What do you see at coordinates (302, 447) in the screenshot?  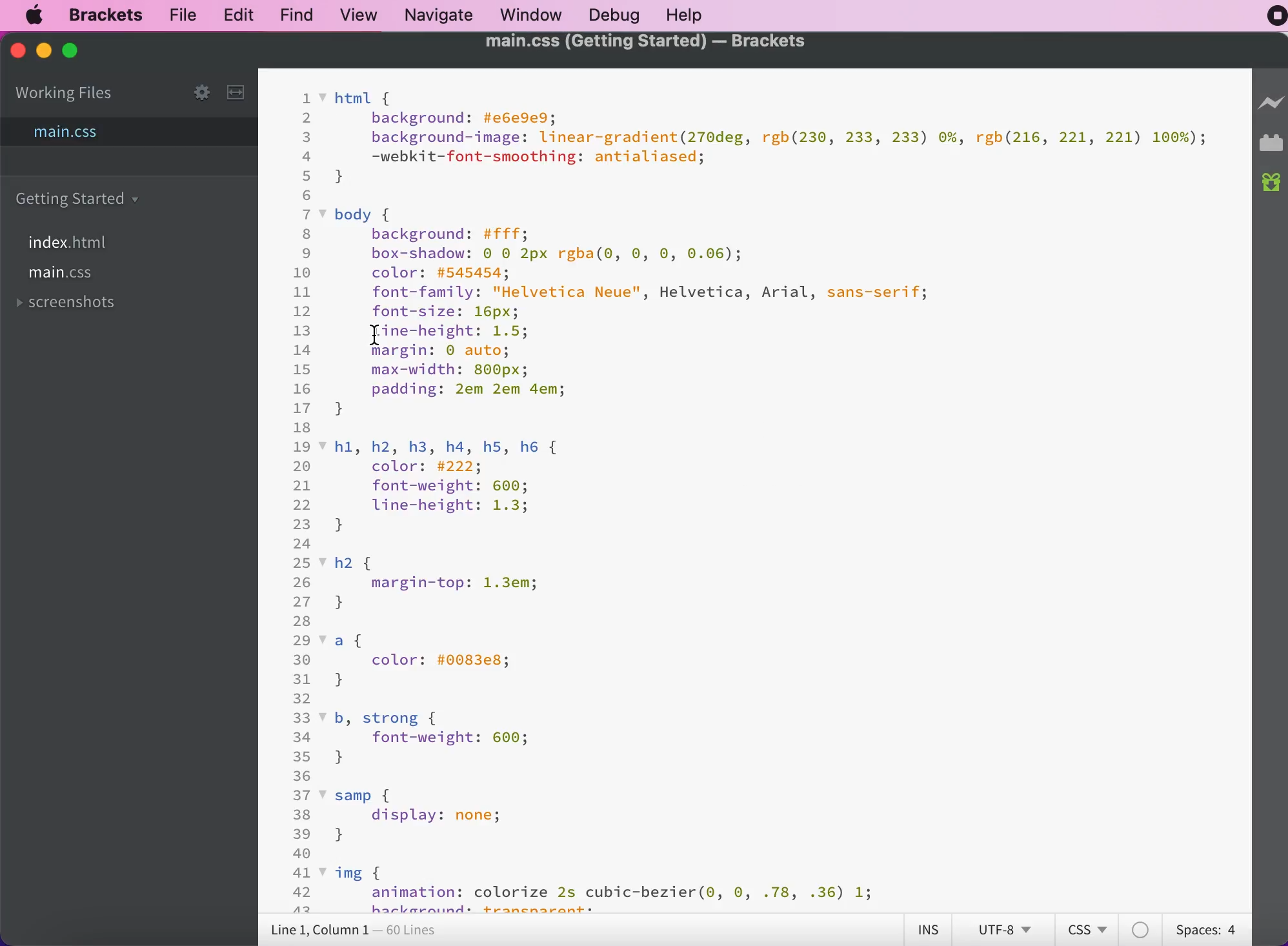 I see `19` at bounding box center [302, 447].